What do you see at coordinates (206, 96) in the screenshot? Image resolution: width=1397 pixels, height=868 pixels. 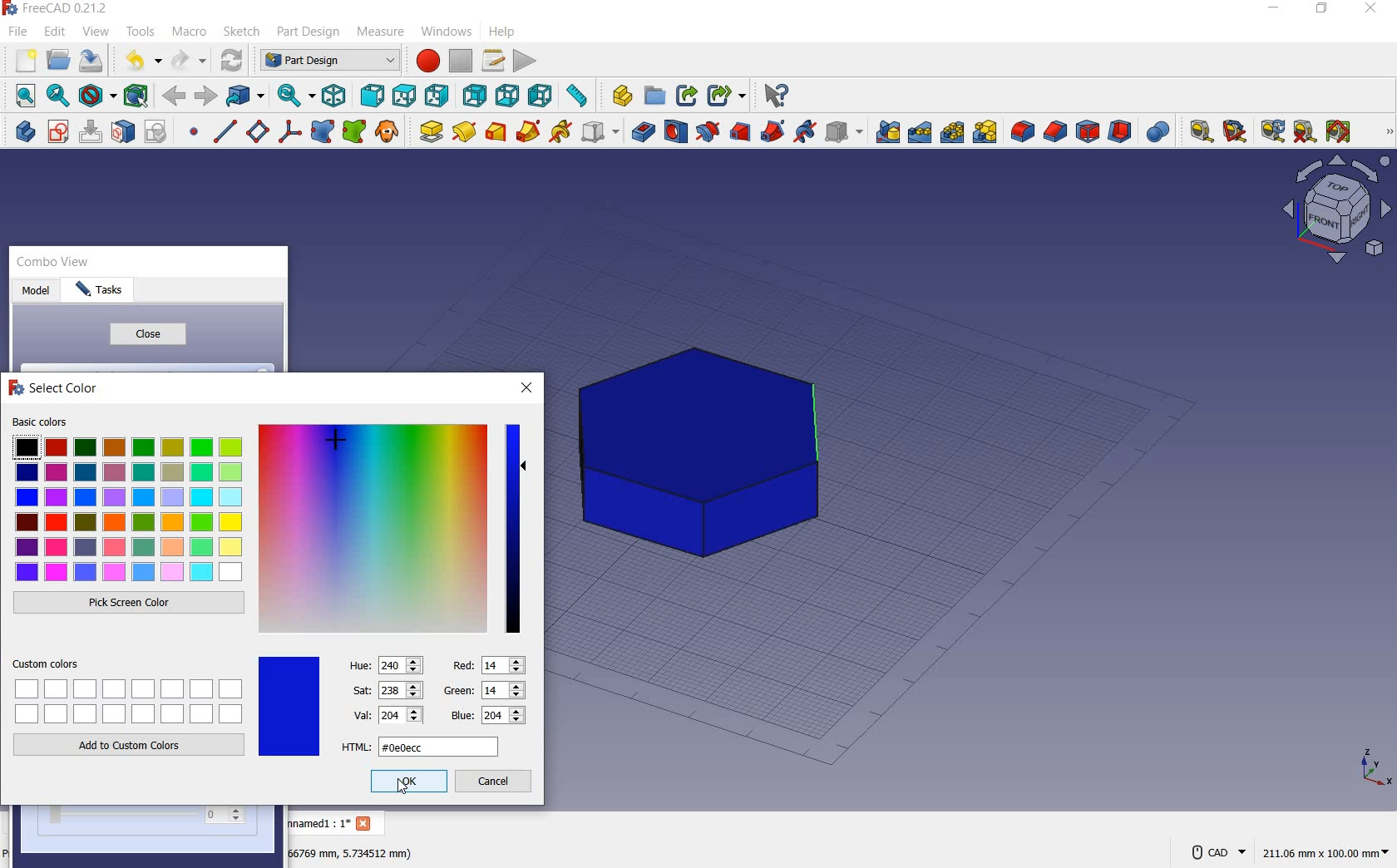 I see `forward` at bounding box center [206, 96].